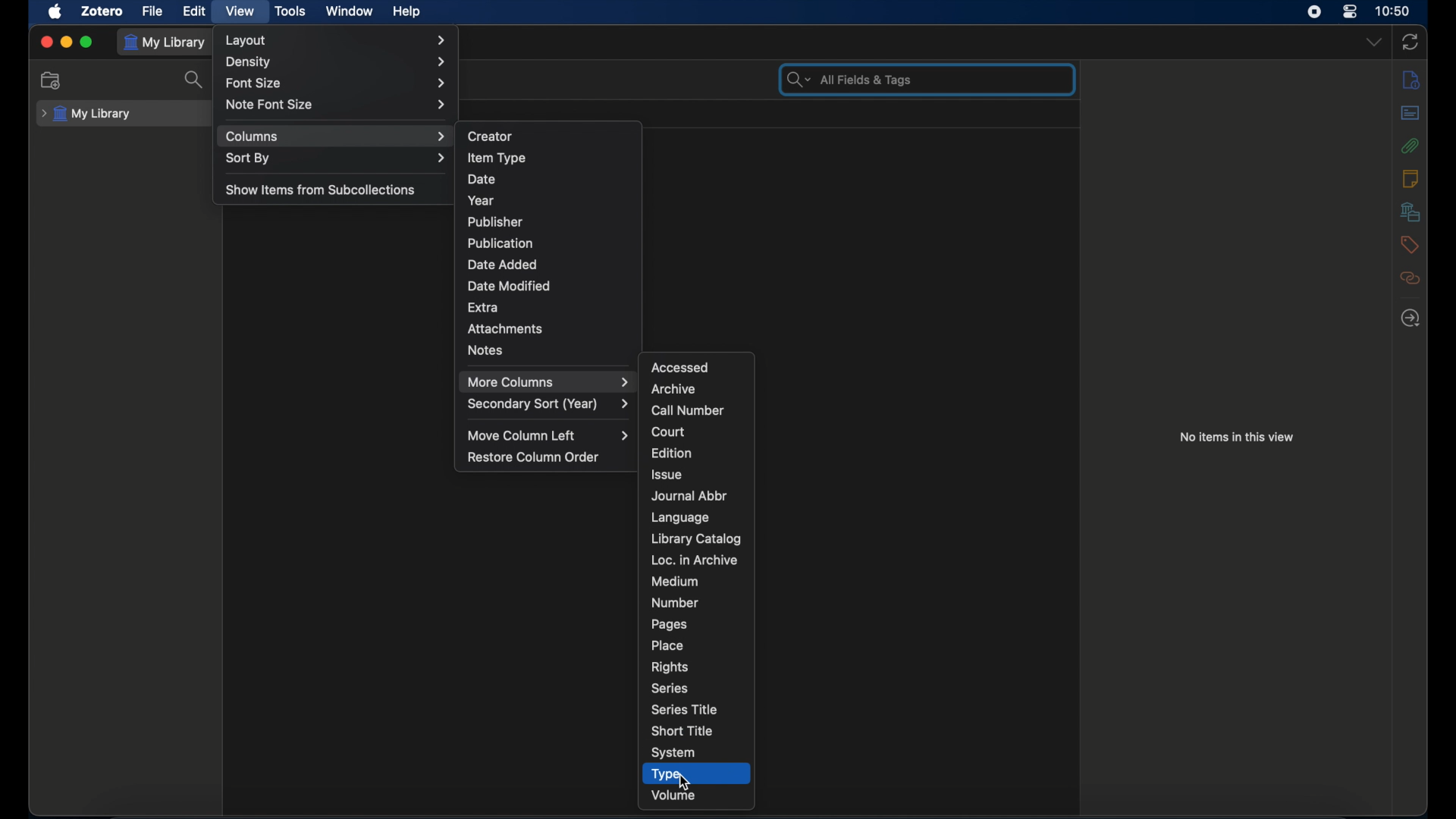 The image size is (1456, 819). Describe the element at coordinates (1410, 42) in the screenshot. I see `sync` at that location.